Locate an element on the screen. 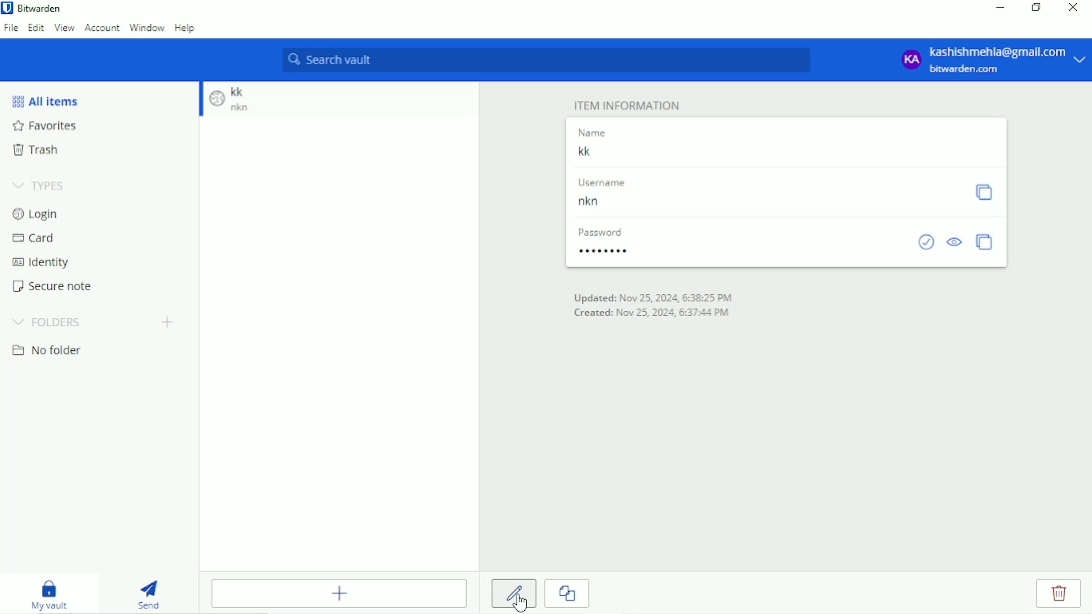 The height and width of the screenshot is (614, 1092). No folder is located at coordinates (50, 349).